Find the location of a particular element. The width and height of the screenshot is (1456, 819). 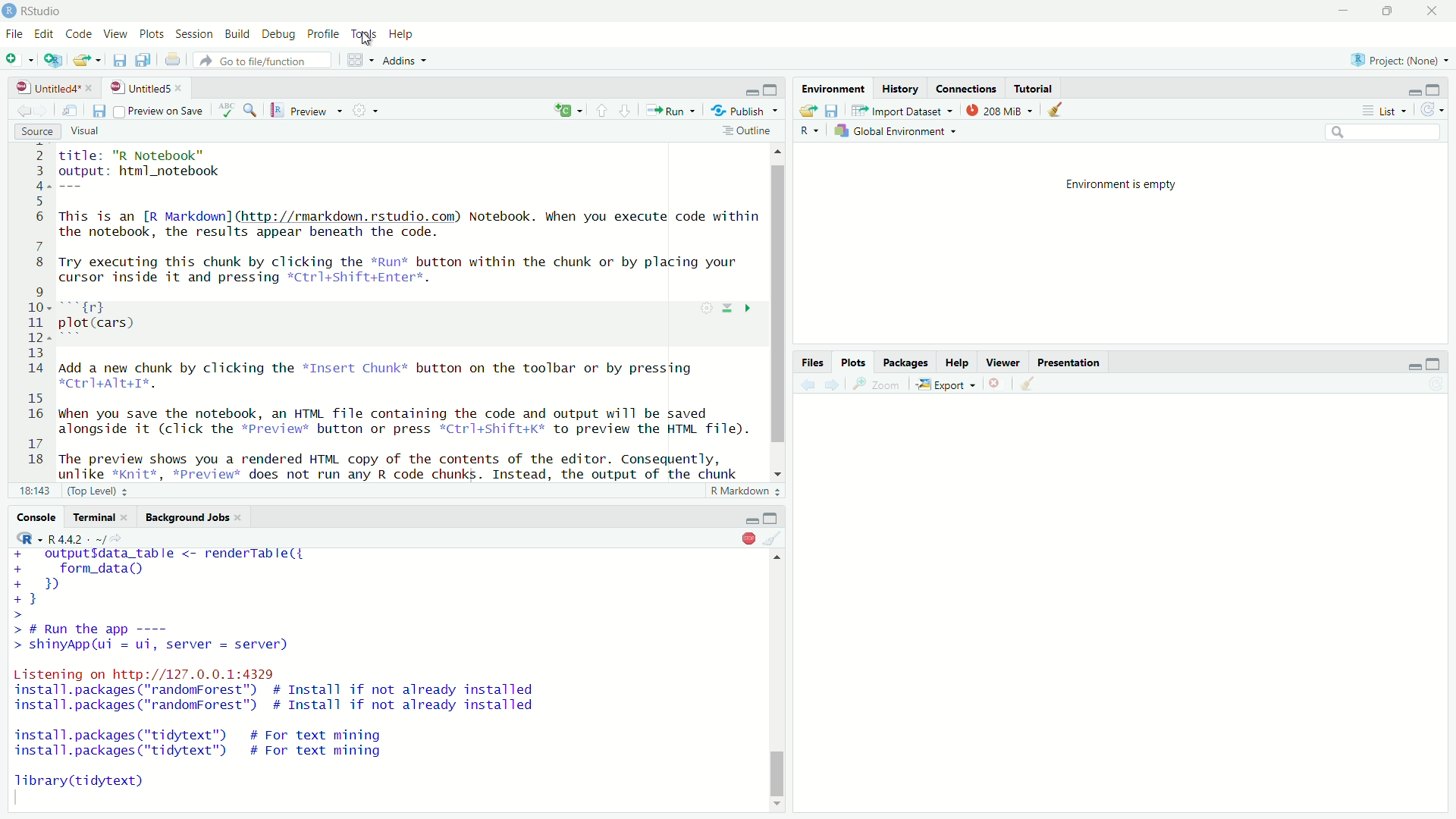

Project: (None)  is located at coordinates (1395, 58).